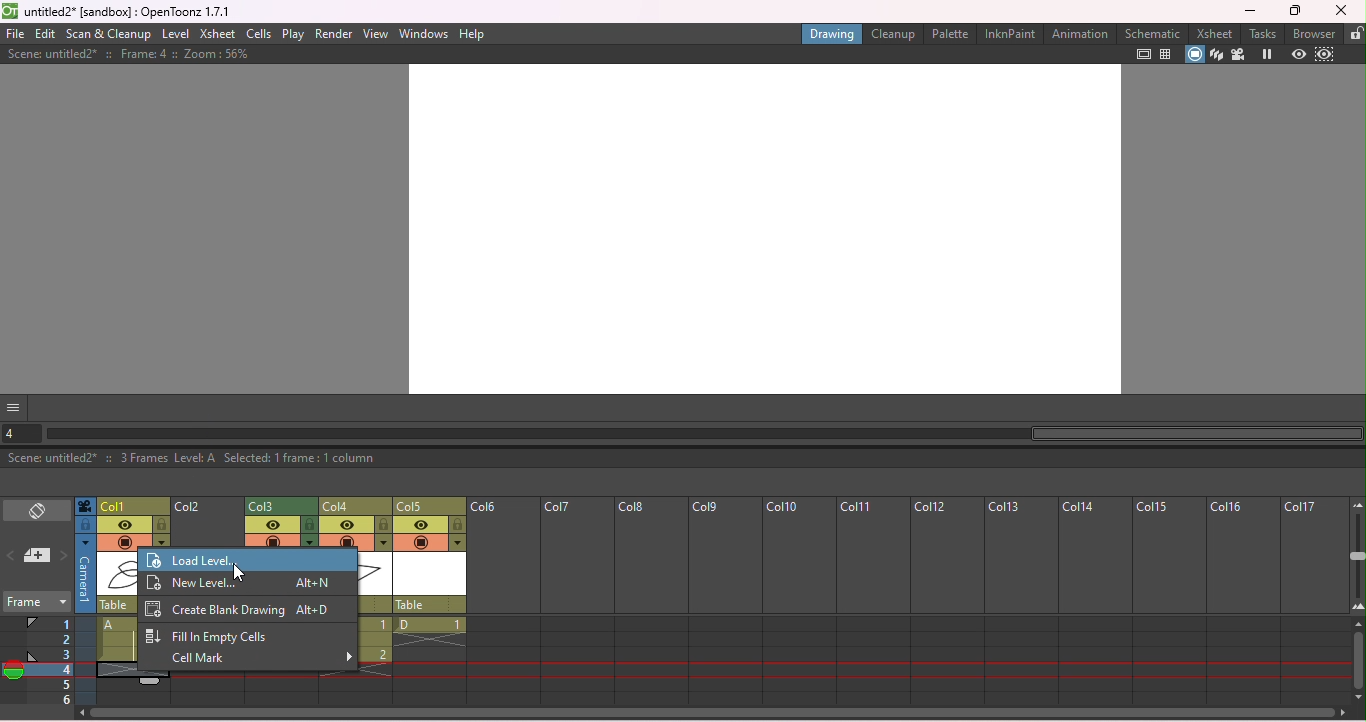 Image resolution: width=1366 pixels, height=722 pixels. What do you see at coordinates (245, 584) in the screenshot?
I see `New level` at bounding box center [245, 584].